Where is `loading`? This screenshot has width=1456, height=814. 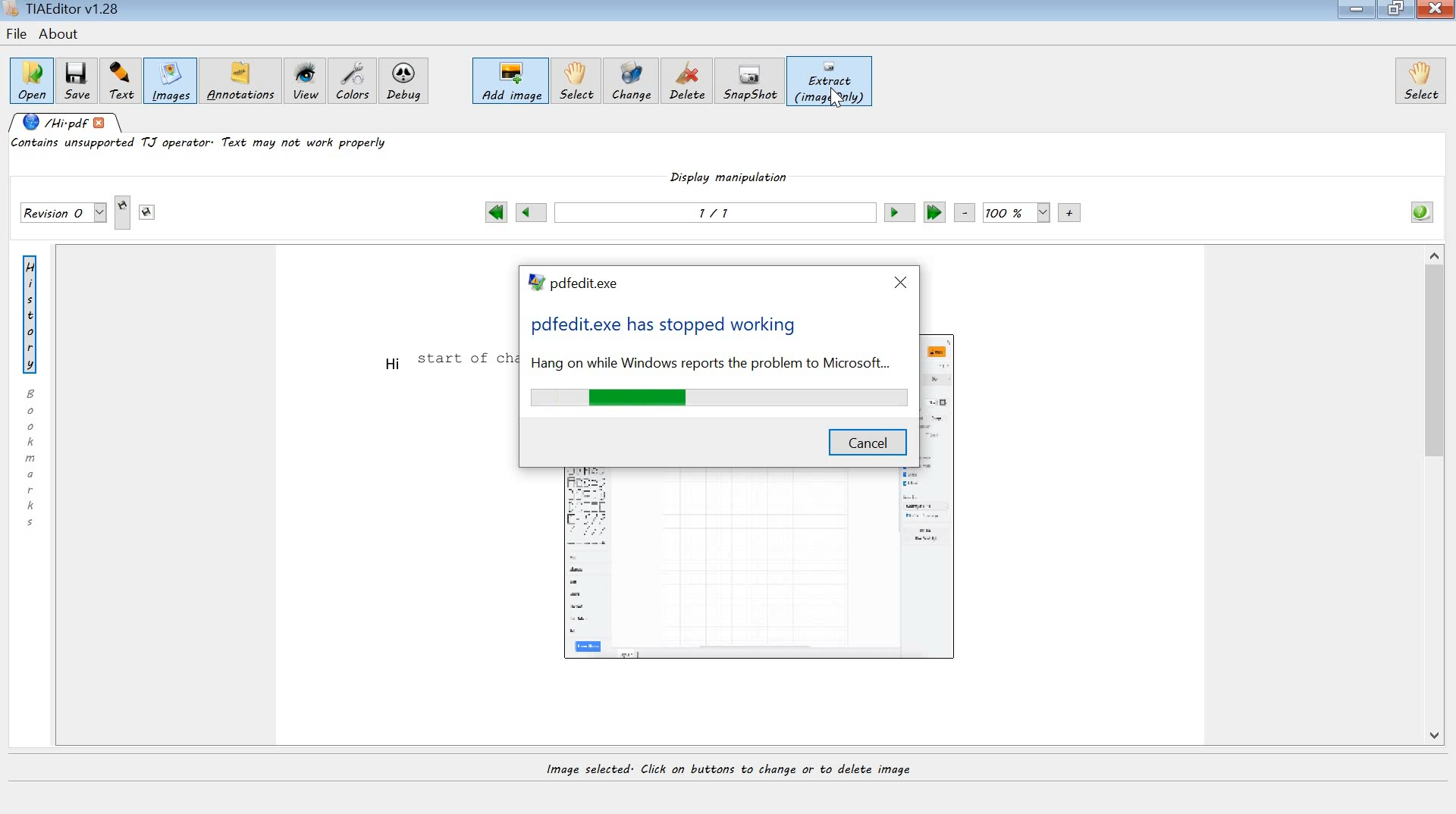
loading is located at coordinates (723, 396).